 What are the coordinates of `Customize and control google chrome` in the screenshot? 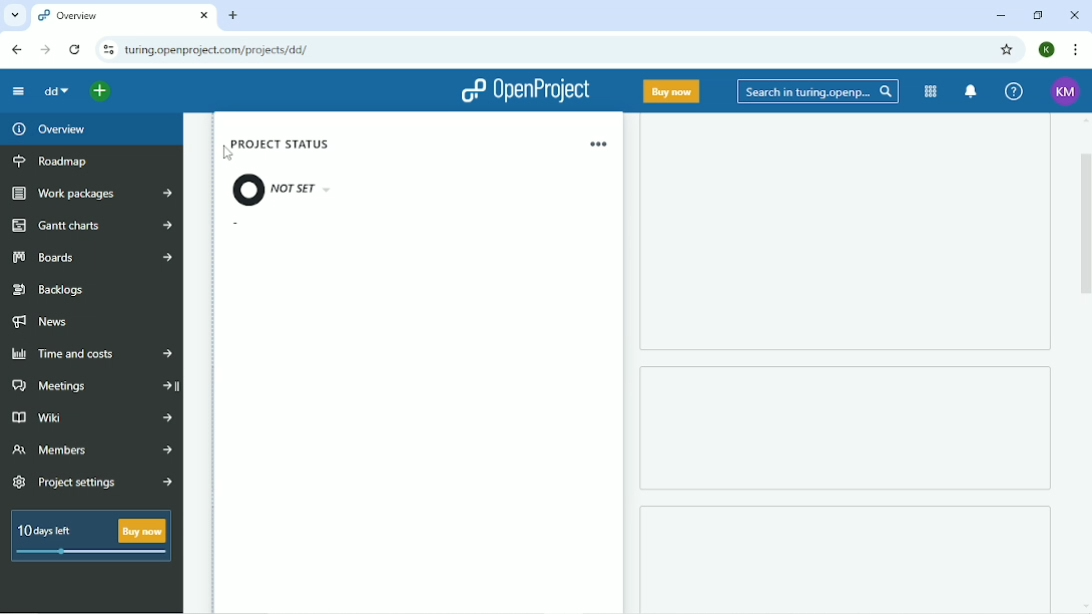 It's located at (1077, 49).